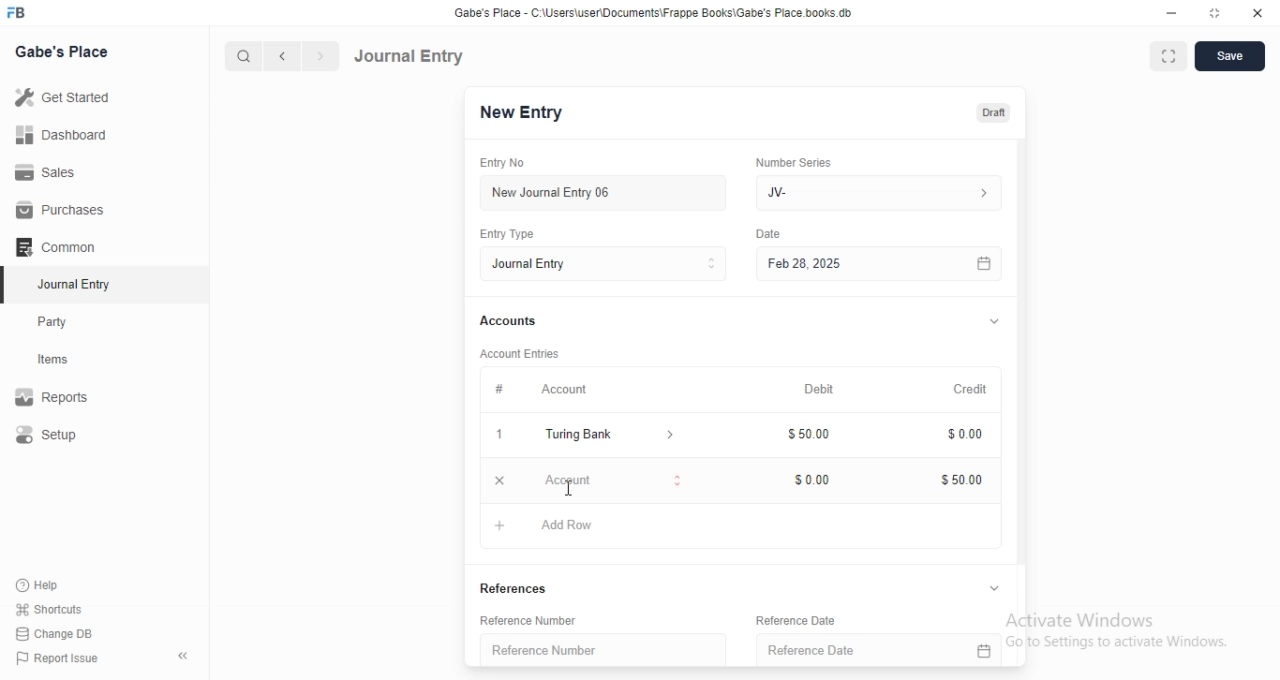 The height and width of the screenshot is (680, 1280). I want to click on next, so click(318, 57).